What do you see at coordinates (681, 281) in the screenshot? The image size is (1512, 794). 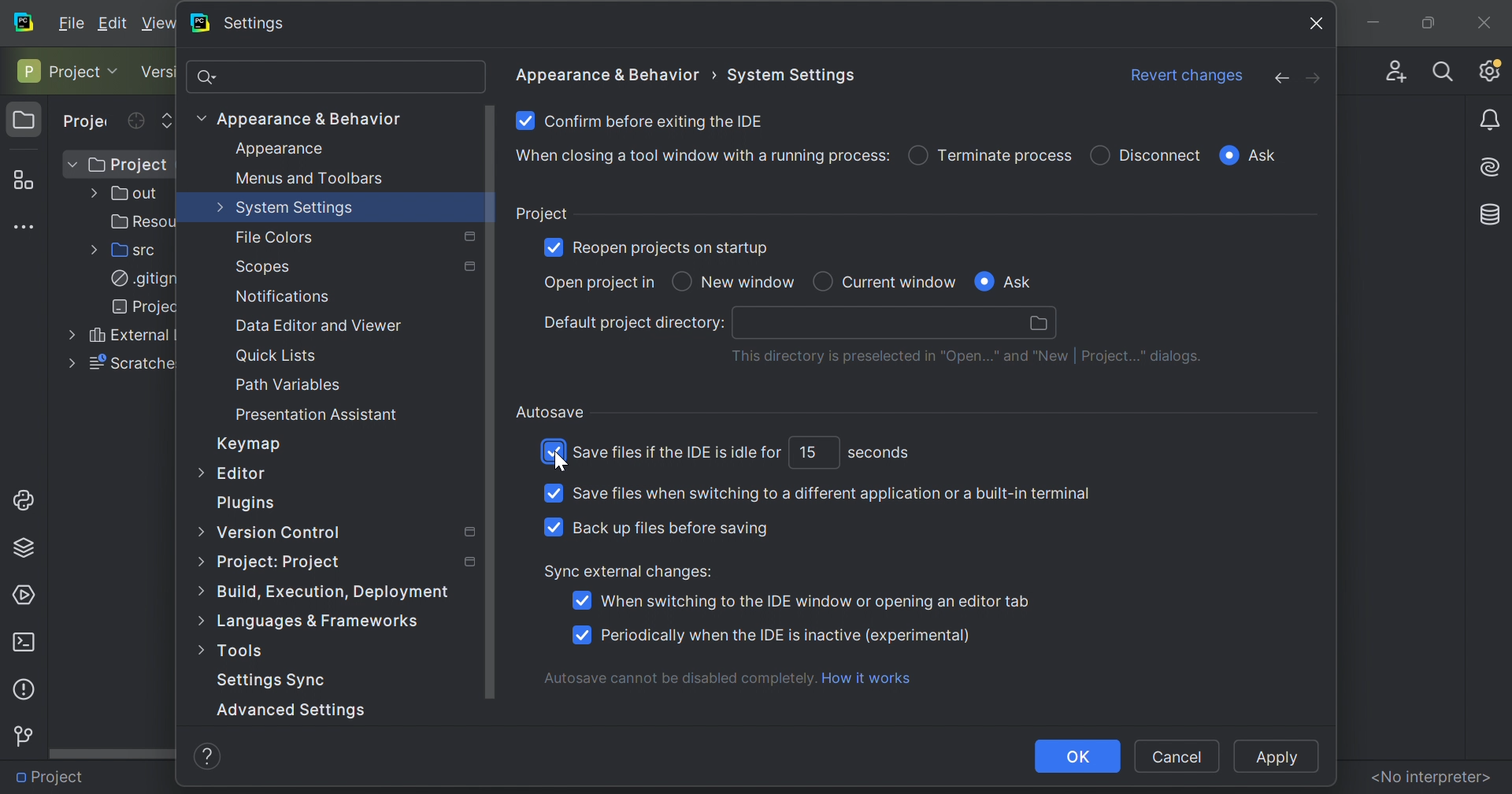 I see `Checkbox` at bounding box center [681, 281].